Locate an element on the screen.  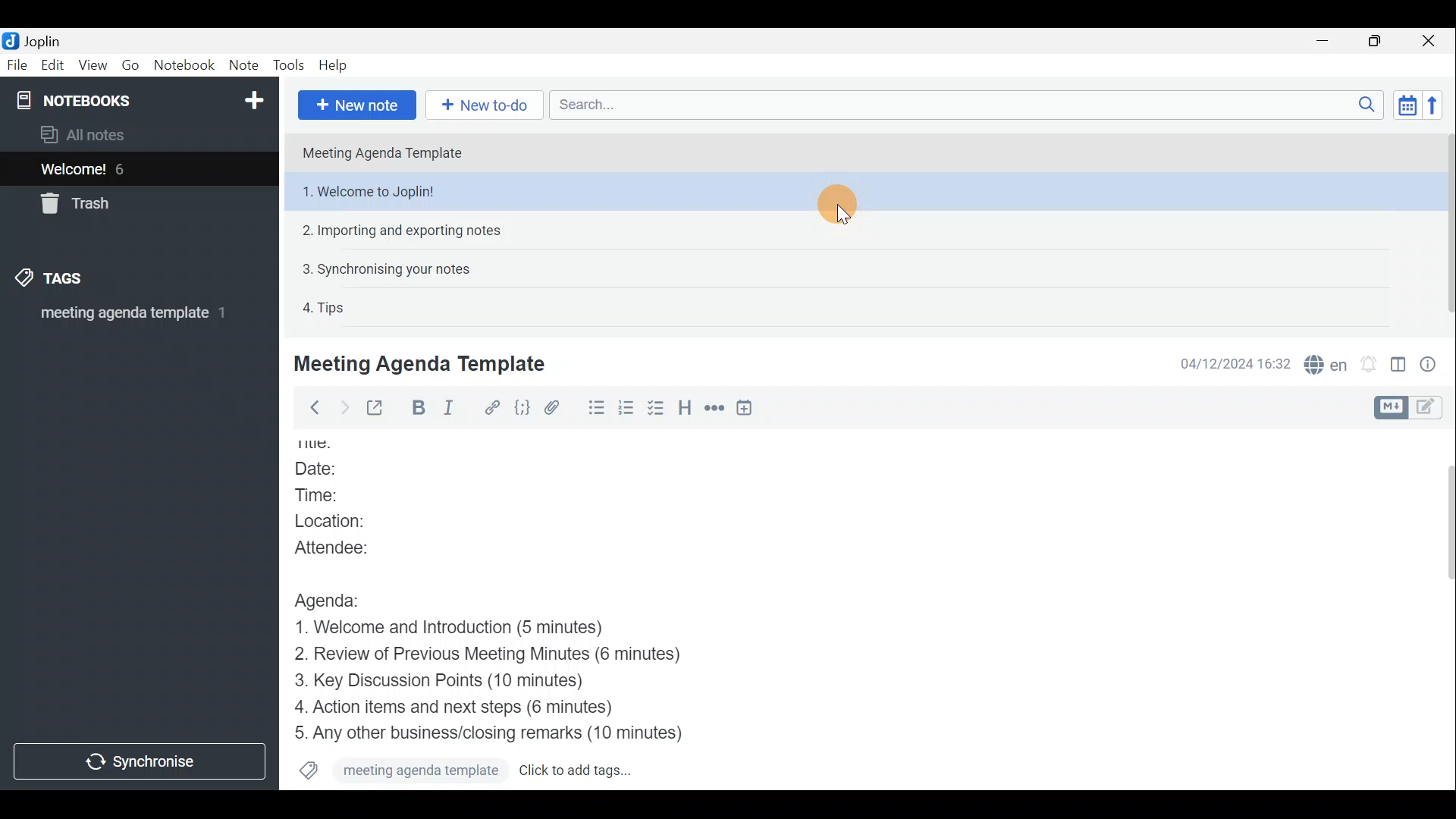
3. Synchronising your notes is located at coordinates (386, 268).